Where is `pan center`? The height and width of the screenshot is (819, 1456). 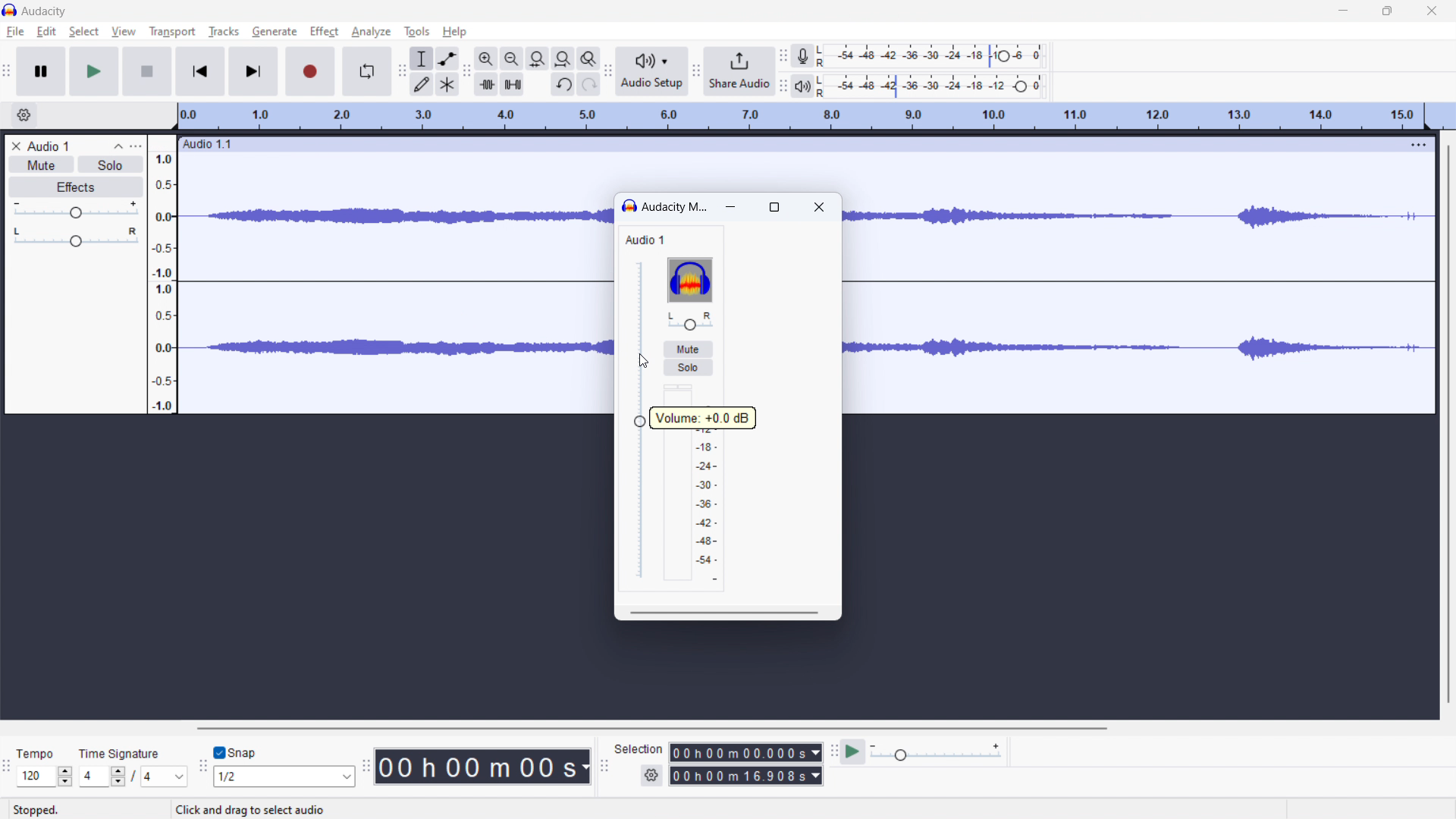 pan center is located at coordinates (689, 321).